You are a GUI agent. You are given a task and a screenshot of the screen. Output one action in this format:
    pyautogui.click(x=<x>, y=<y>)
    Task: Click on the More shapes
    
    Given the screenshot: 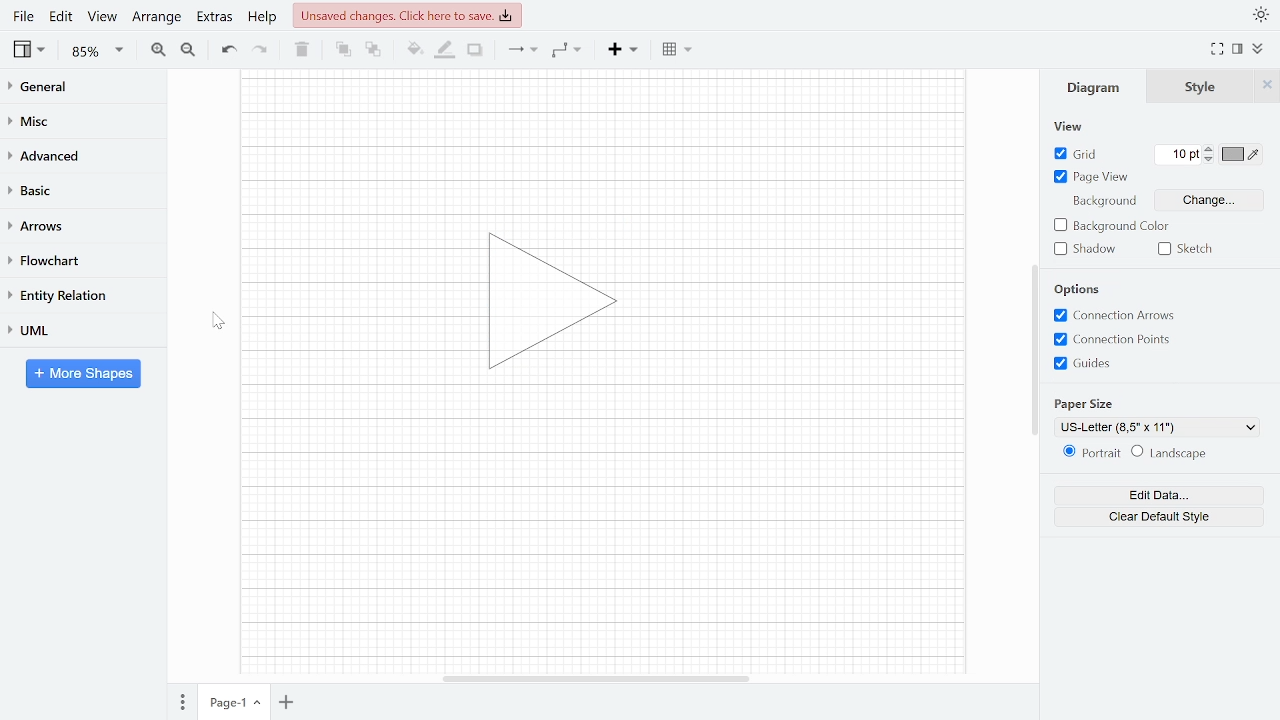 What is the action you would take?
    pyautogui.click(x=83, y=373)
    